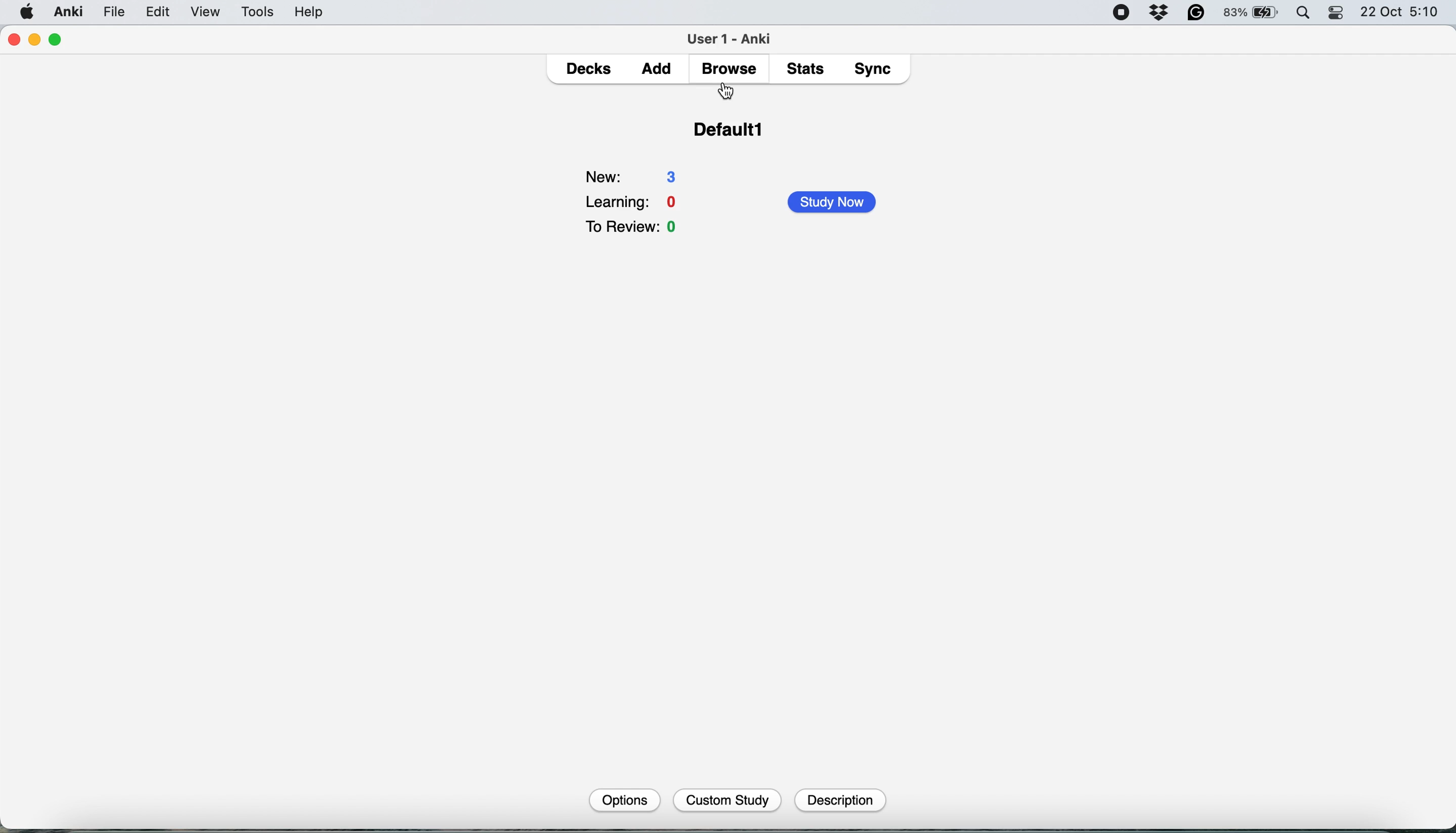  What do you see at coordinates (1306, 14) in the screenshot?
I see `spotlight search` at bounding box center [1306, 14].